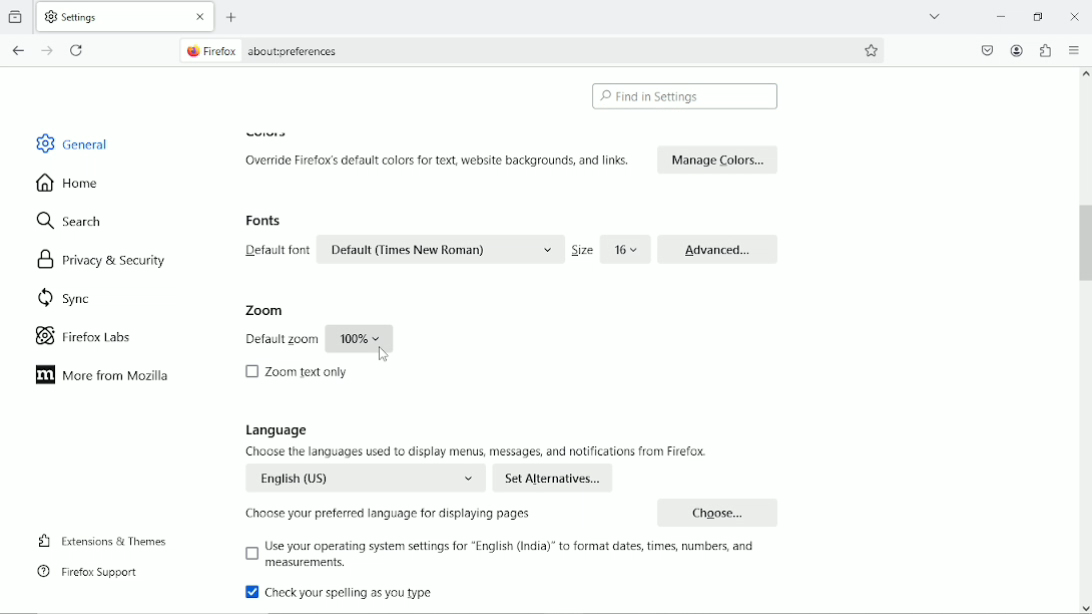  Describe the element at coordinates (266, 221) in the screenshot. I see `Fonts` at that location.